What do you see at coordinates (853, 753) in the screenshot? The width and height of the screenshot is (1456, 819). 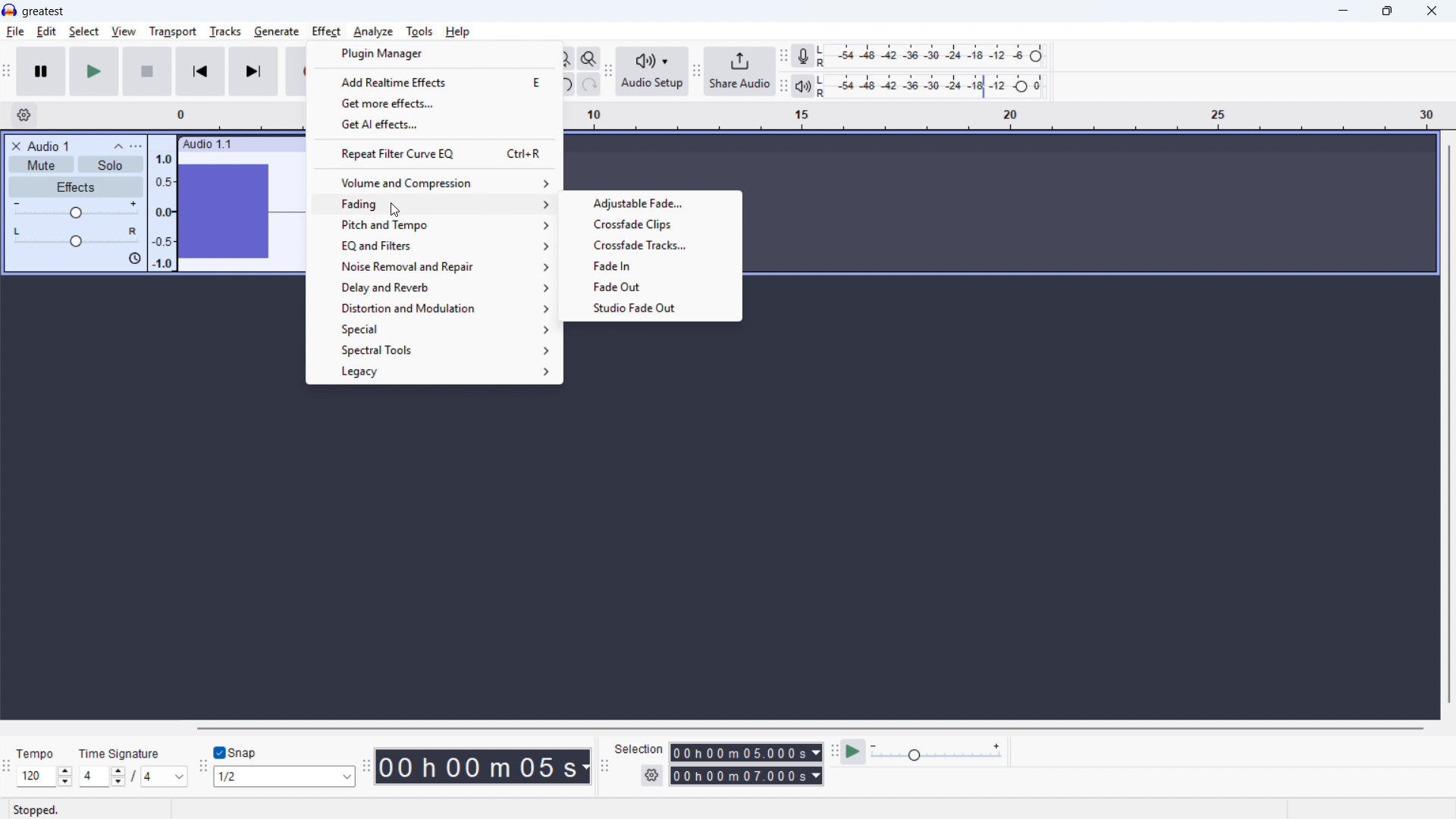 I see `Play at speed ` at bounding box center [853, 753].